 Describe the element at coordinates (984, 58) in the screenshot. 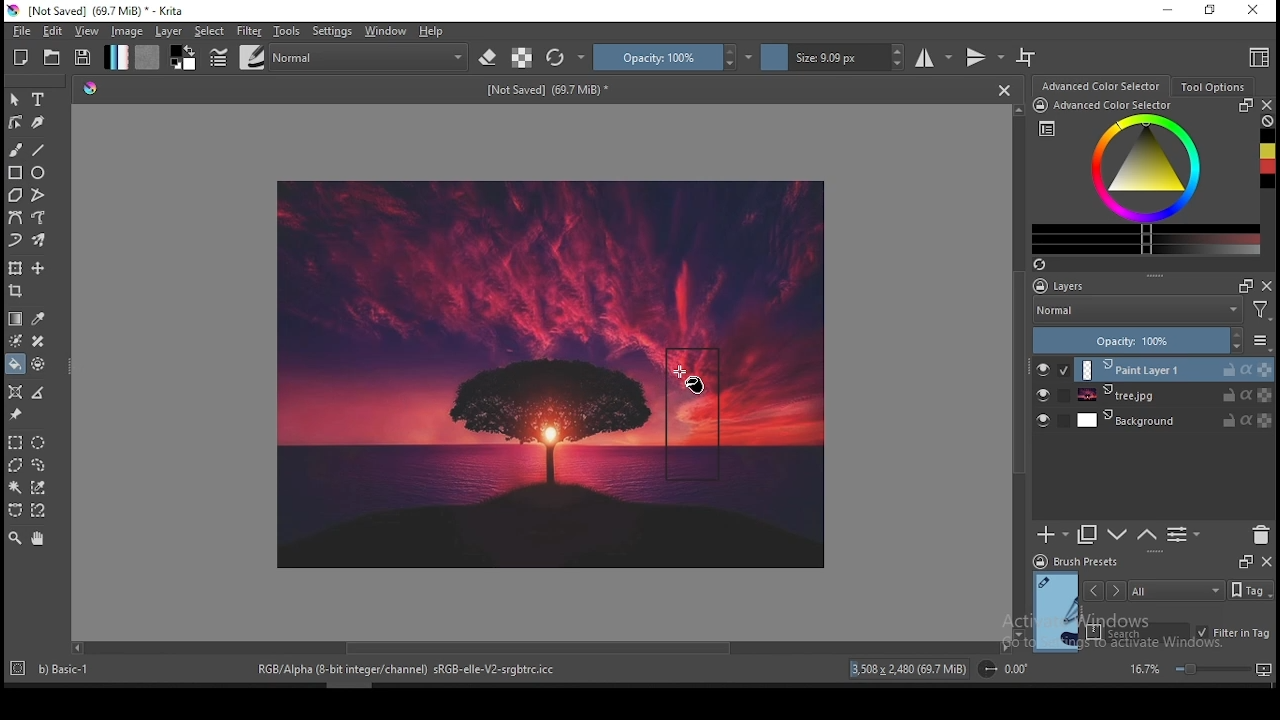

I see `vertical mirror tool` at that location.